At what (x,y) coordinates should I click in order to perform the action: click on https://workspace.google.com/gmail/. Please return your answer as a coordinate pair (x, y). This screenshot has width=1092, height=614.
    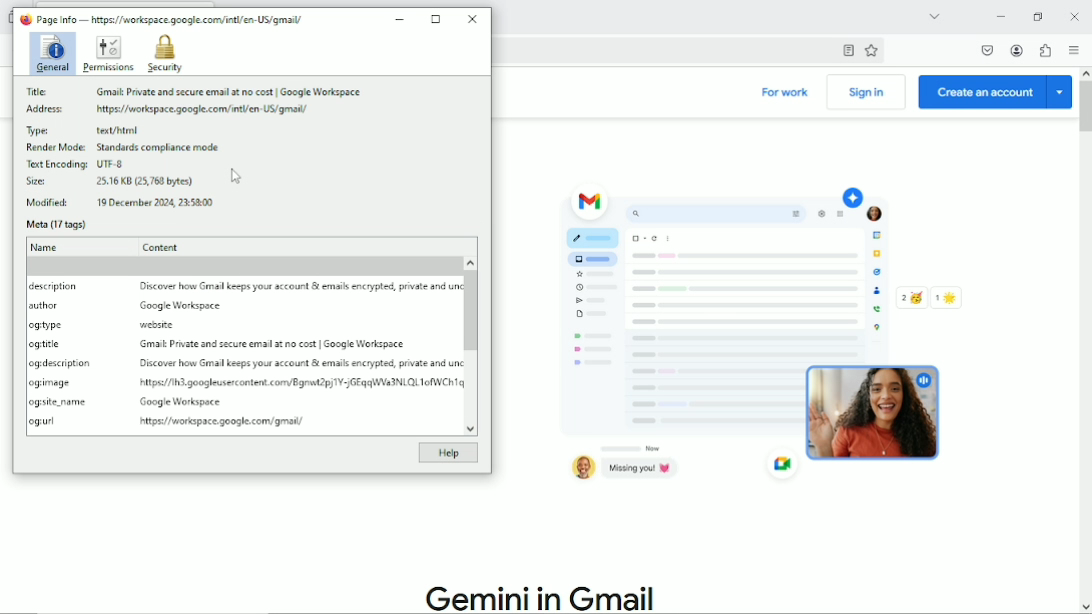
    Looking at the image, I should click on (222, 423).